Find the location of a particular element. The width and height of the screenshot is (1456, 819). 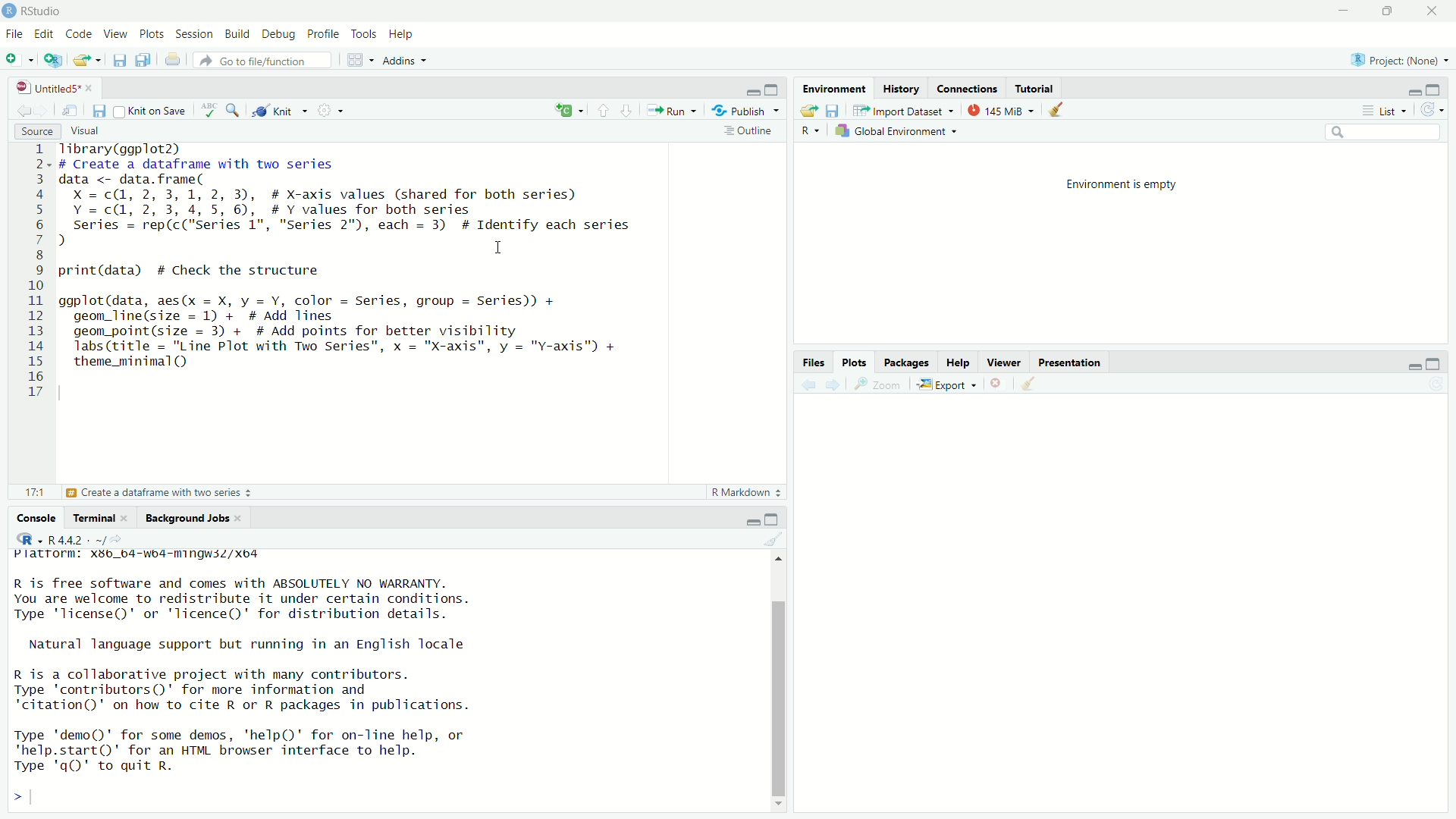

Refresh the list of object in the Environment is located at coordinates (1432, 111).